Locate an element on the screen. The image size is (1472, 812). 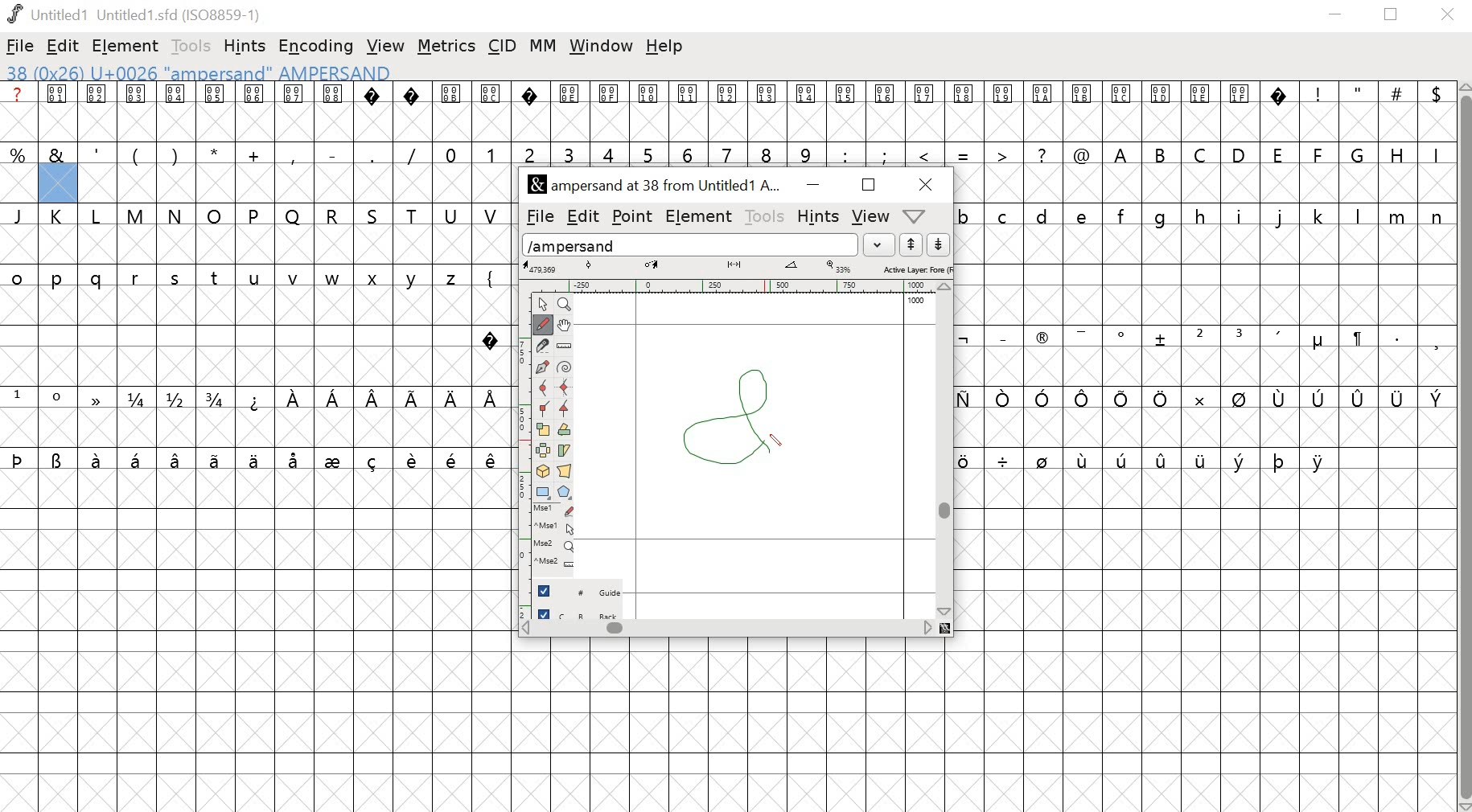
1/4 is located at coordinates (139, 400).